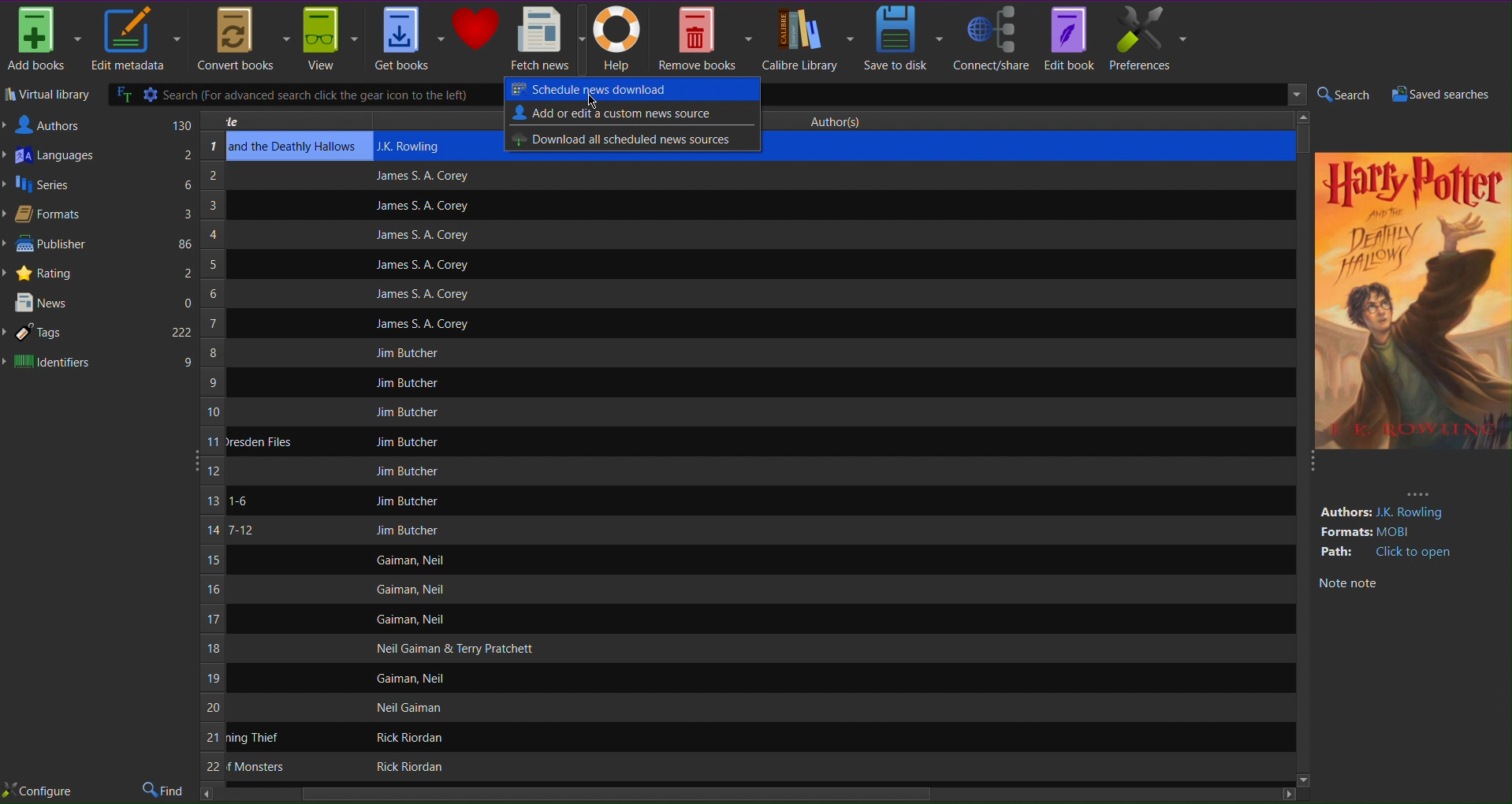  Describe the element at coordinates (422, 326) in the screenshot. I see `James S. A. Corey` at that location.